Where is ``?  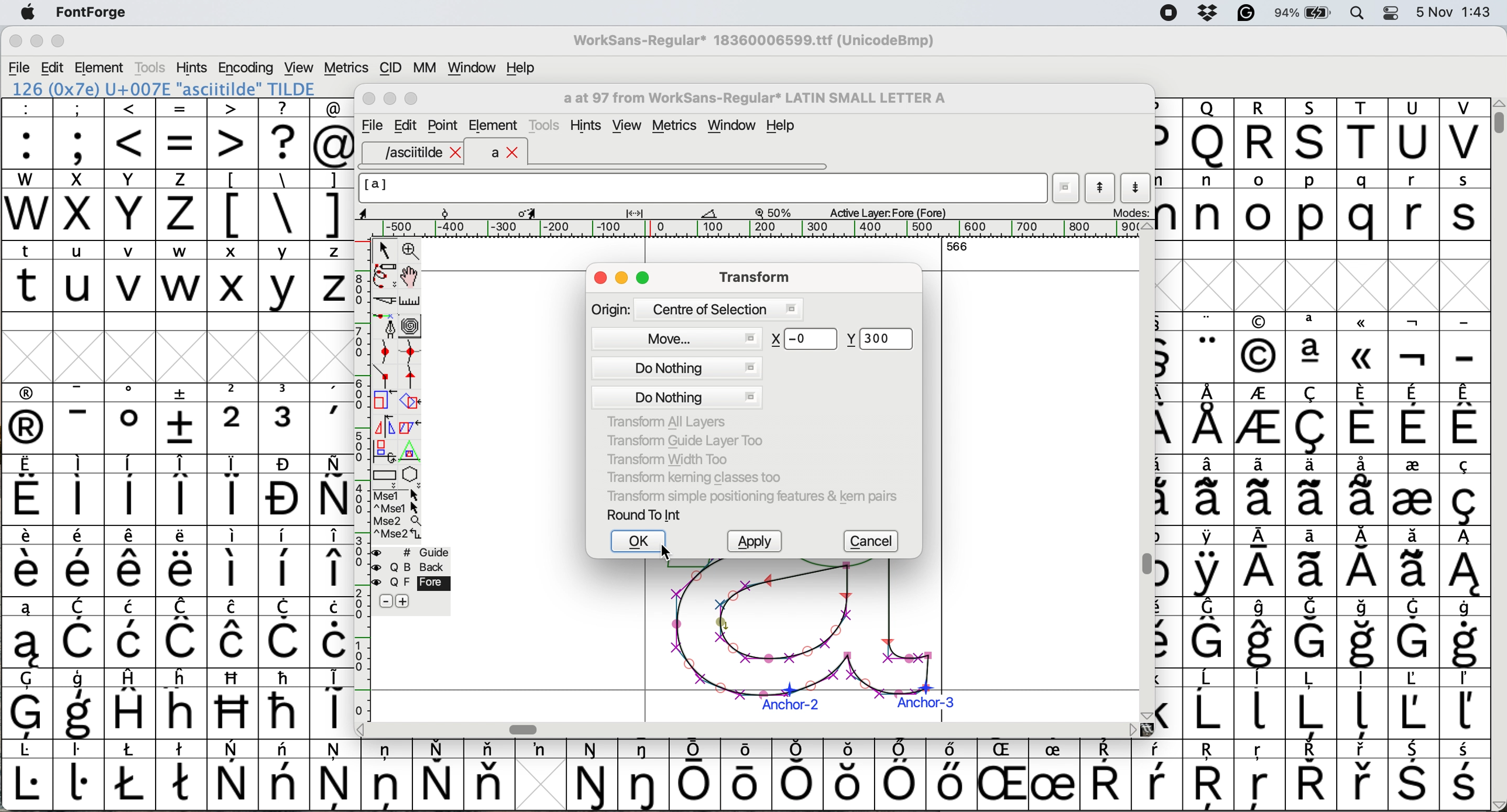  is located at coordinates (1259, 348).